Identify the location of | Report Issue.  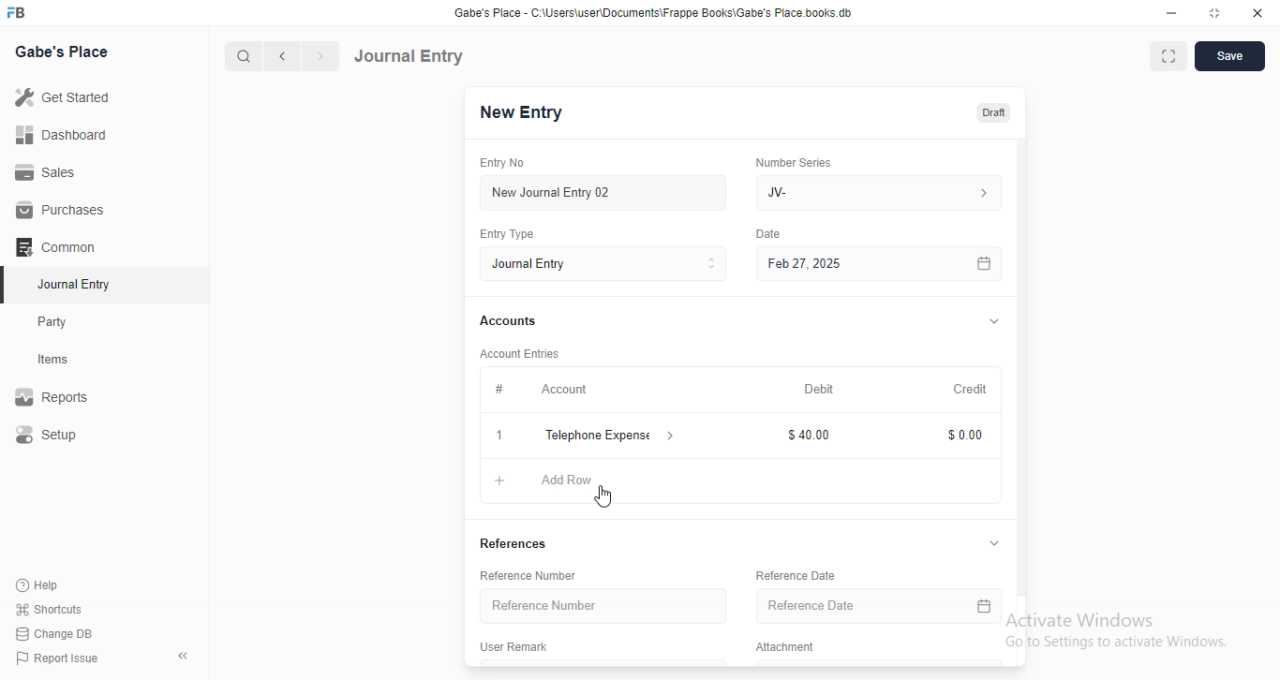
(59, 658).